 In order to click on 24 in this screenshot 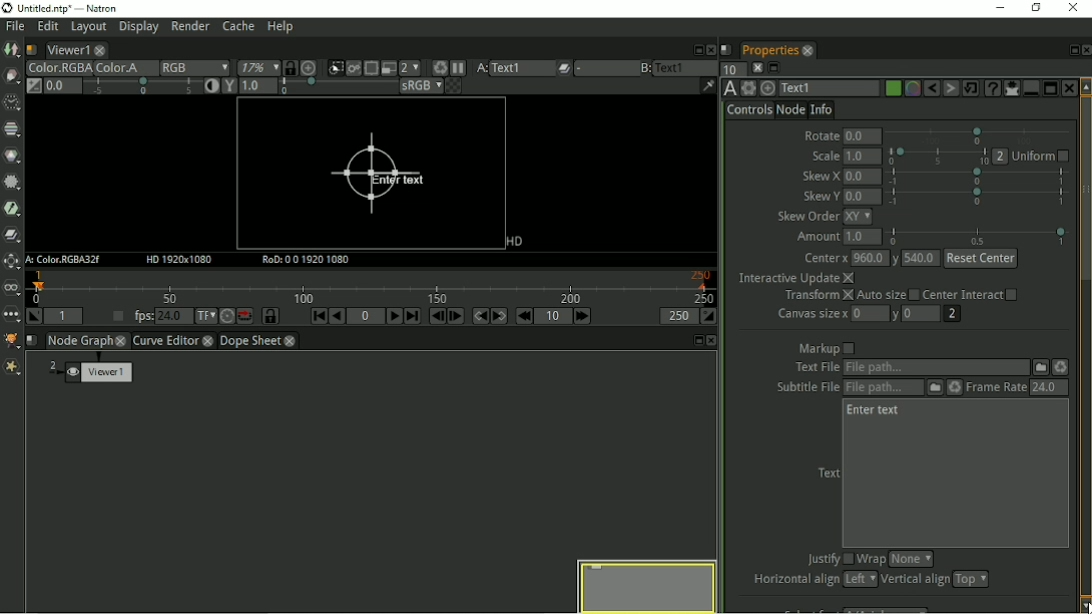, I will do `click(1045, 387)`.